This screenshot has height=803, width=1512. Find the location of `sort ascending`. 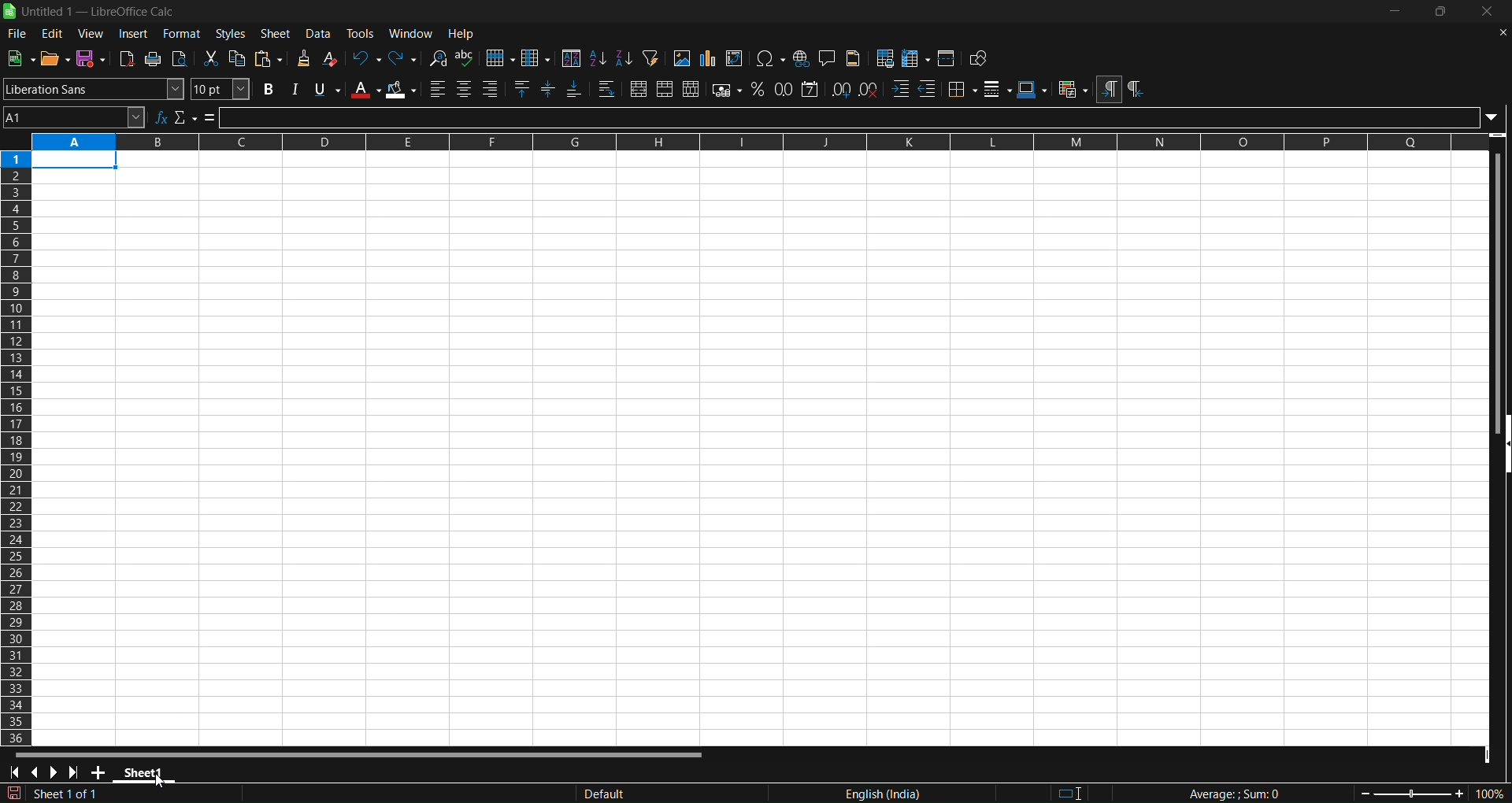

sort ascending is located at coordinates (597, 57).